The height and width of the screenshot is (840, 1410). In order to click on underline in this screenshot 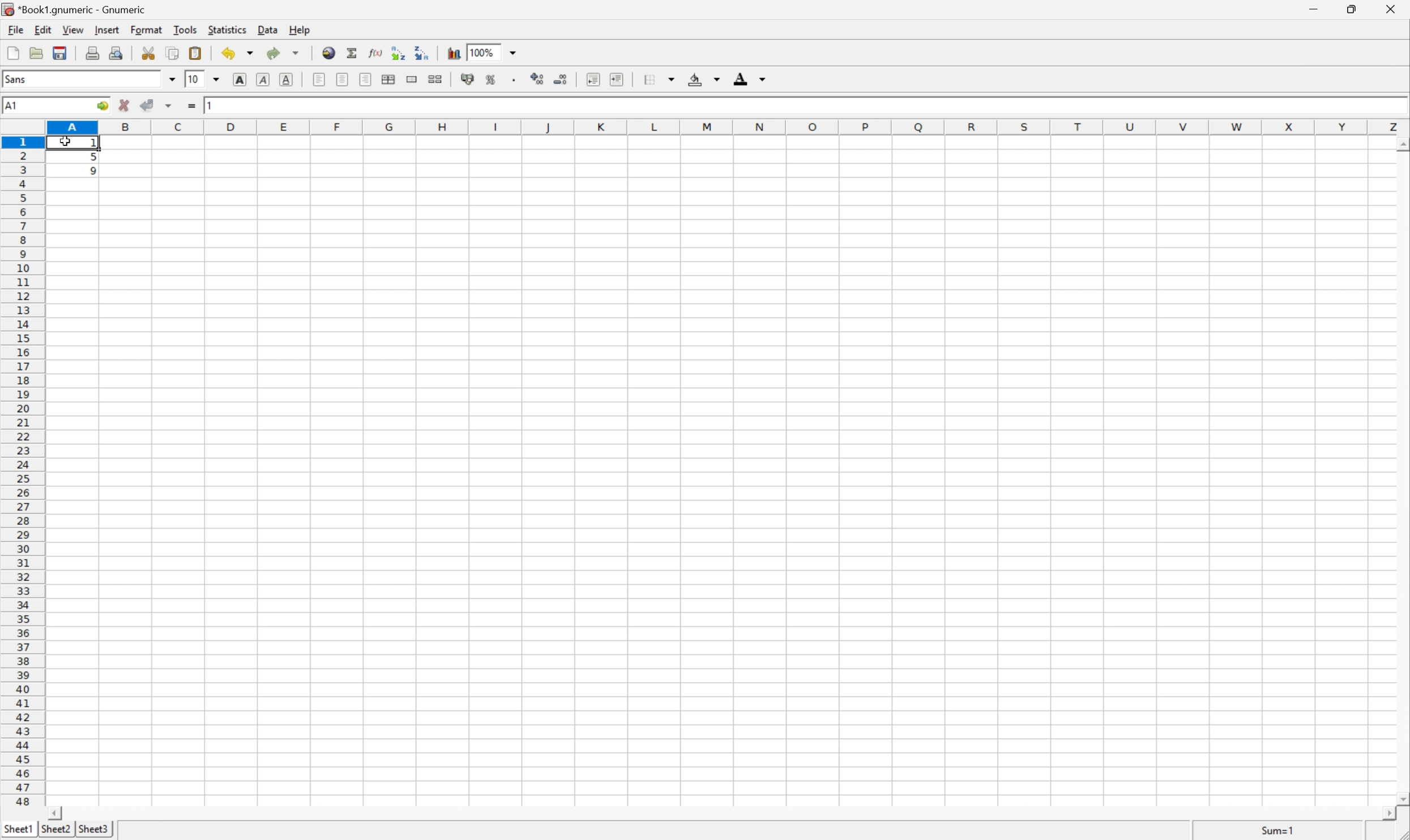, I will do `click(288, 80)`.